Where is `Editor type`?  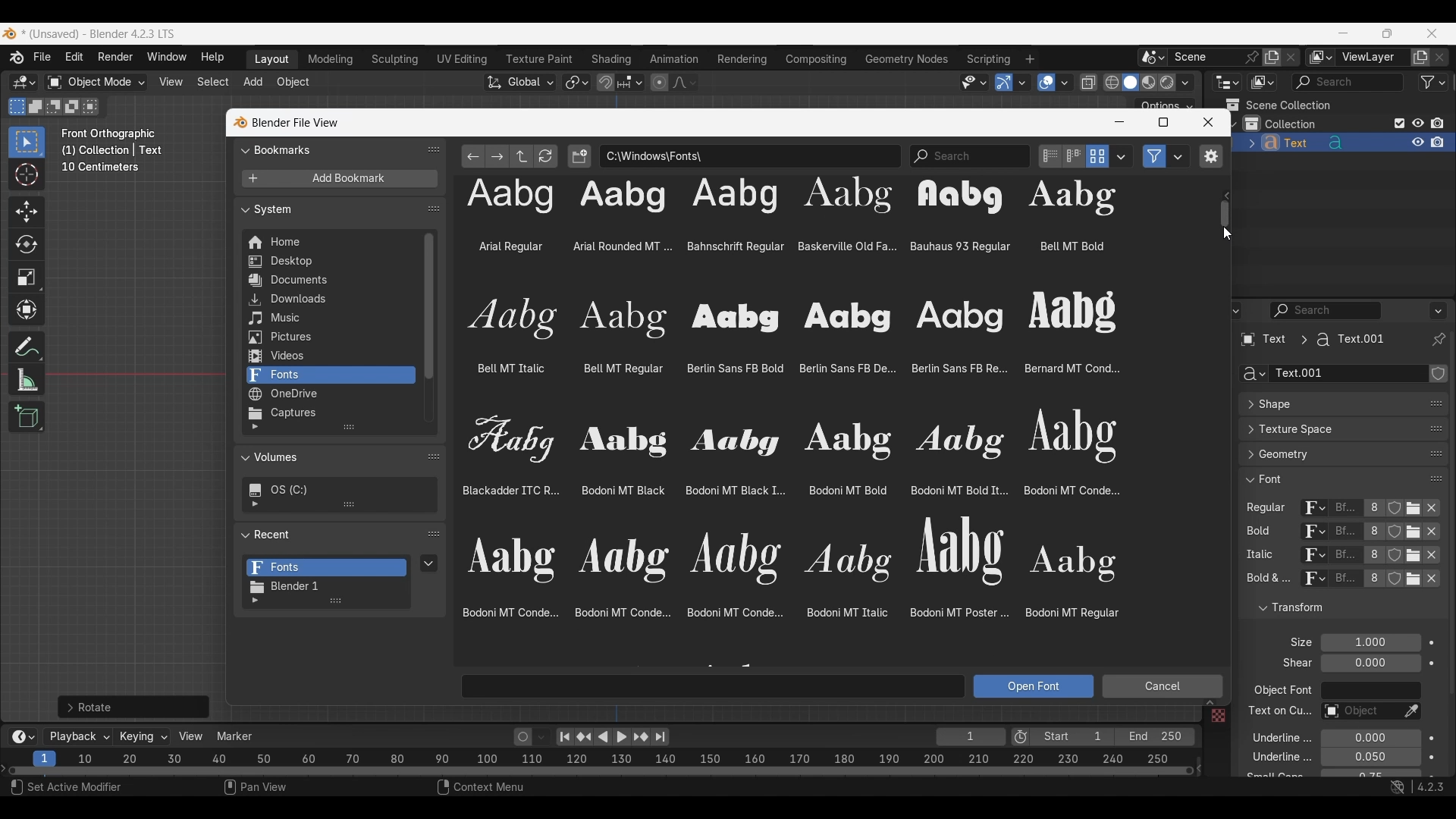
Editor type is located at coordinates (1227, 310).